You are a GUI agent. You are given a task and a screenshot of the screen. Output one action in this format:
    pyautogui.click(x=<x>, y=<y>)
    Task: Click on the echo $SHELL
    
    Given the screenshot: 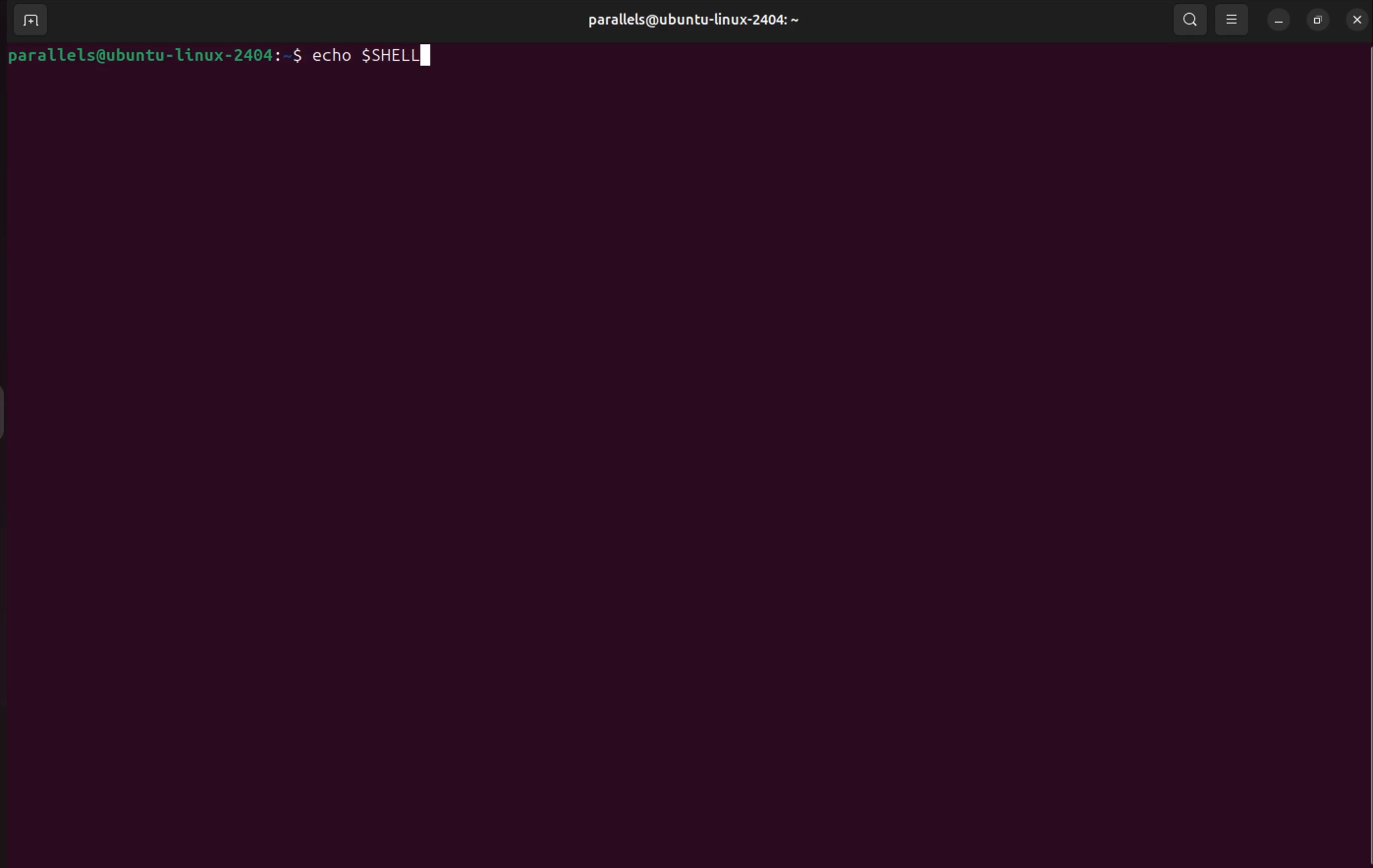 What is the action you would take?
    pyautogui.click(x=373, y=56)
    